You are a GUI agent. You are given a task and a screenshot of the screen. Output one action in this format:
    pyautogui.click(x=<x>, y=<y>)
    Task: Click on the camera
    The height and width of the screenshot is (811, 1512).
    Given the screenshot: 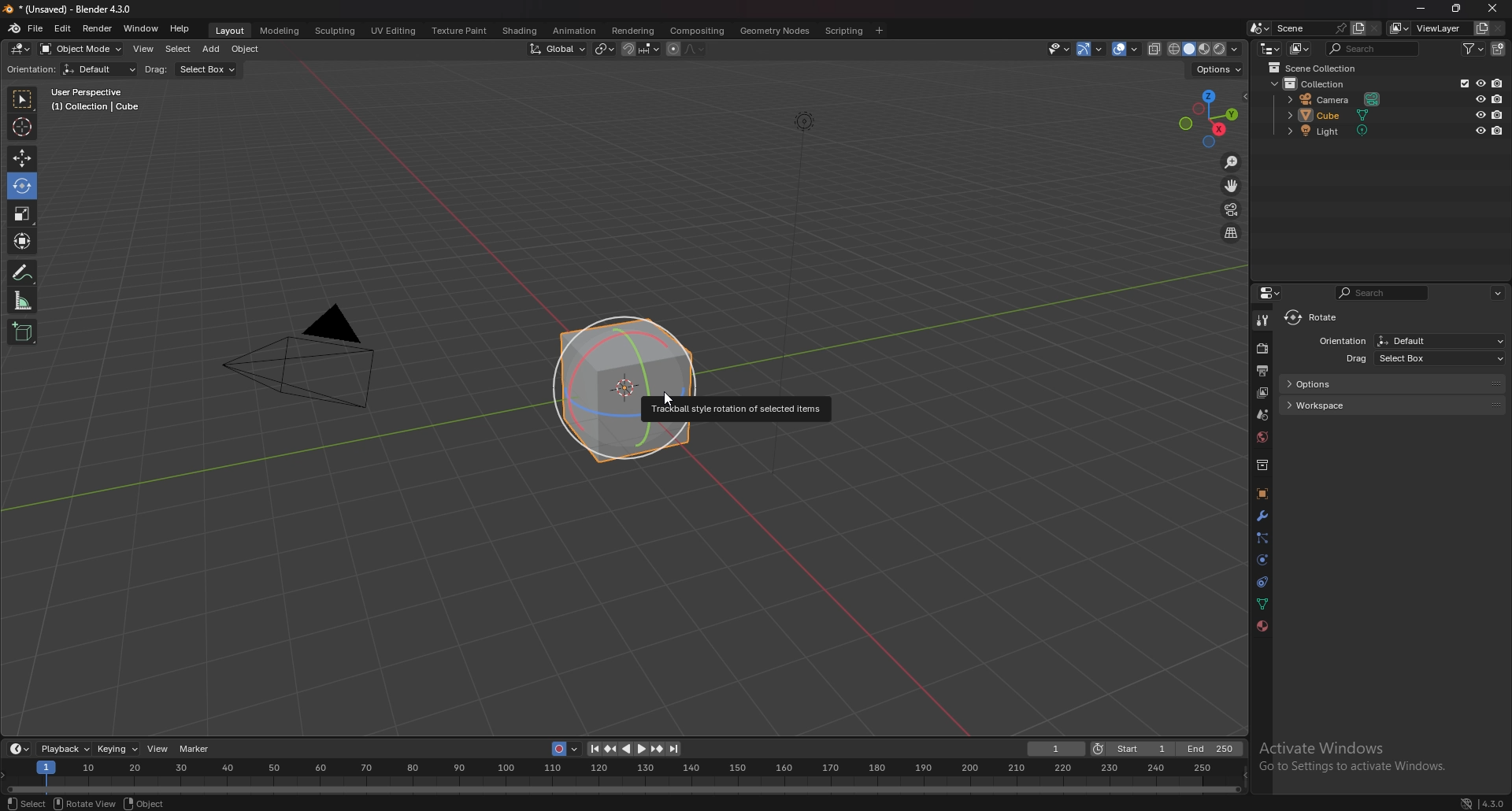 What is the action you would take?
    pyautogui.click(x=314, y=358)
    